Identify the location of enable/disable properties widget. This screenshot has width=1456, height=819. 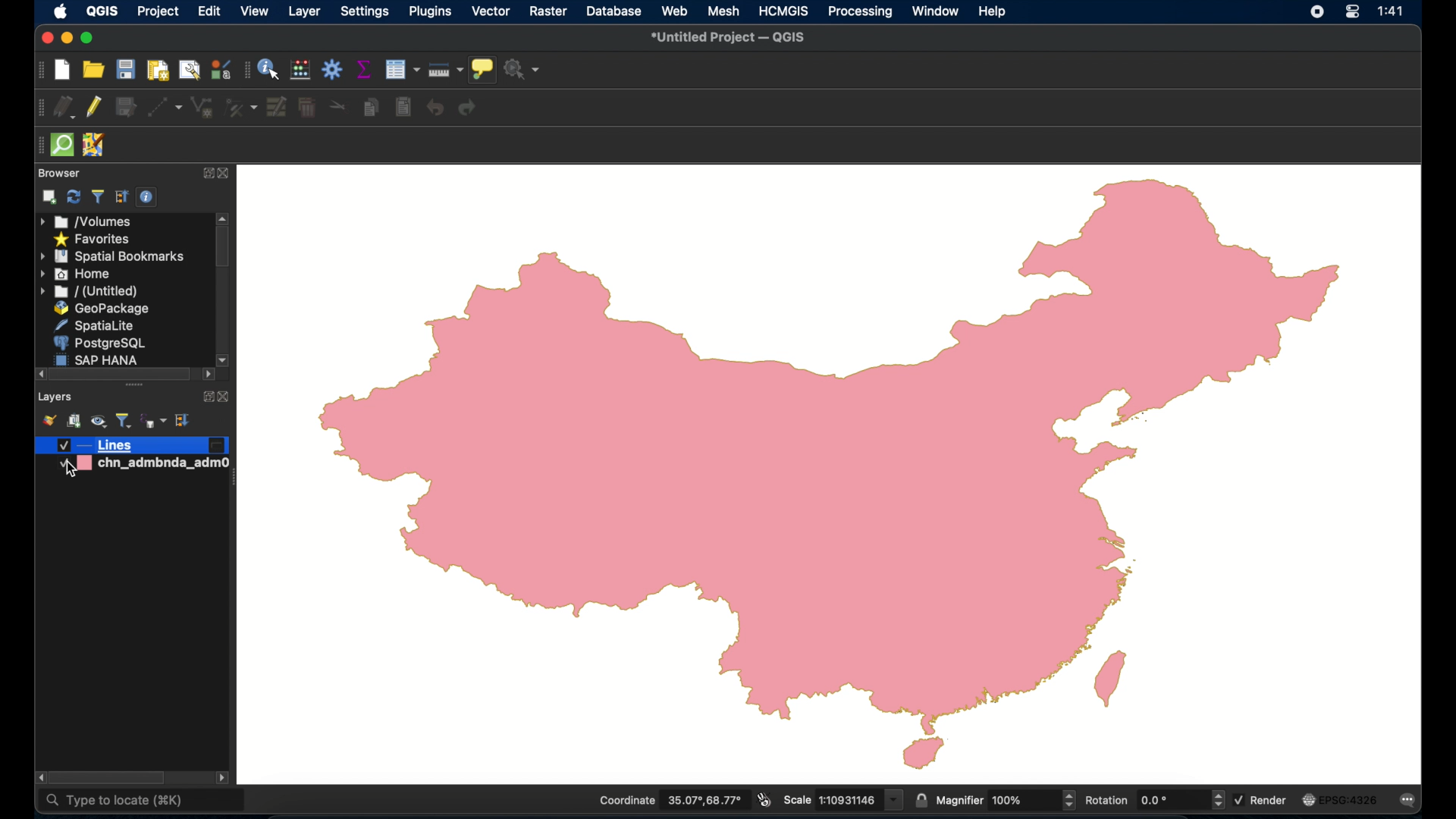
(148, 197).